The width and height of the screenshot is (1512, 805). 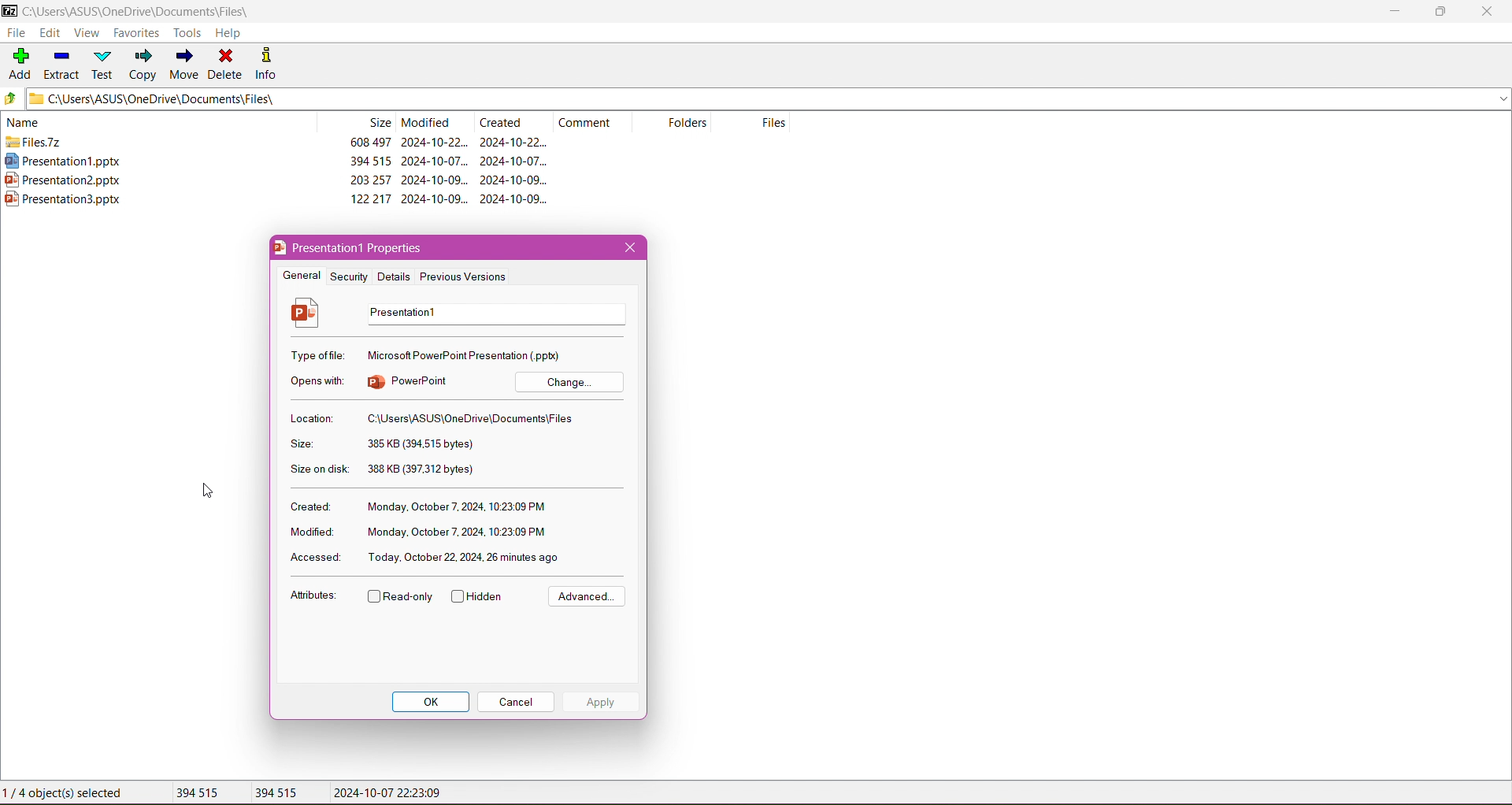 I want to click on monday, October 7, 2024, 10:23:09 PM, so click(x=468, y=506).